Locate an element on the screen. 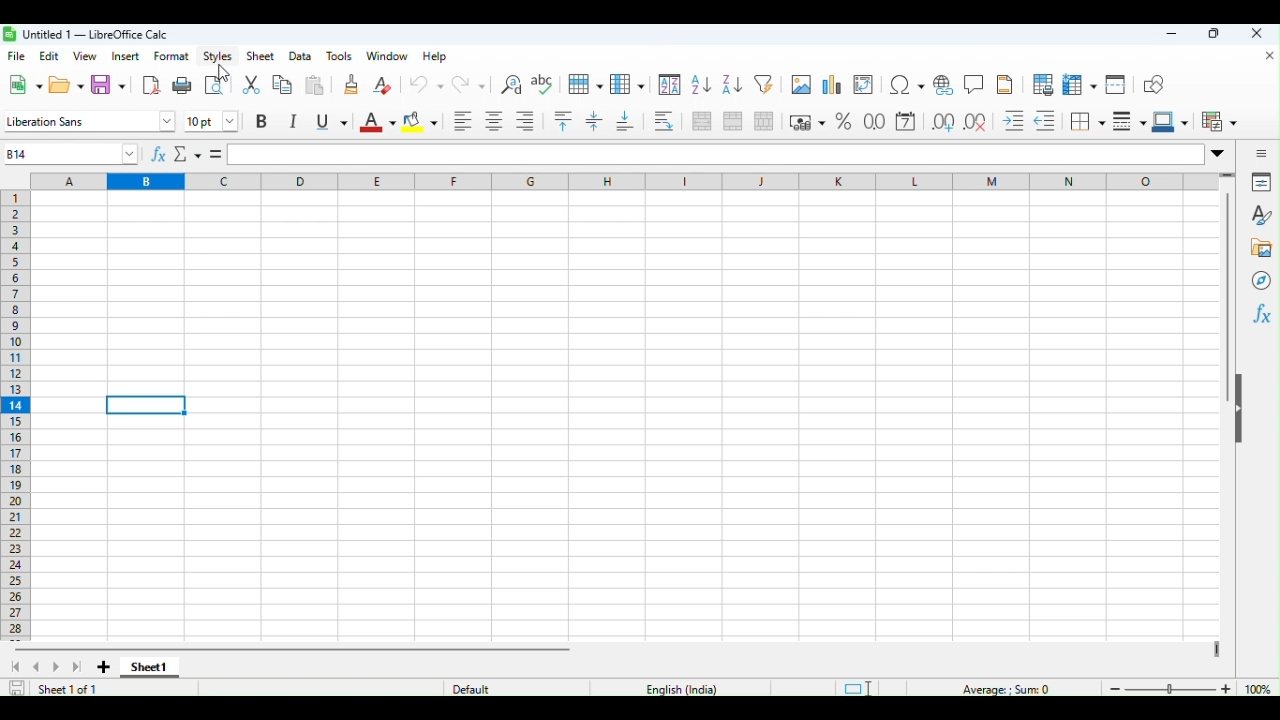  decrease indent is located at coordinates (1044, 121).